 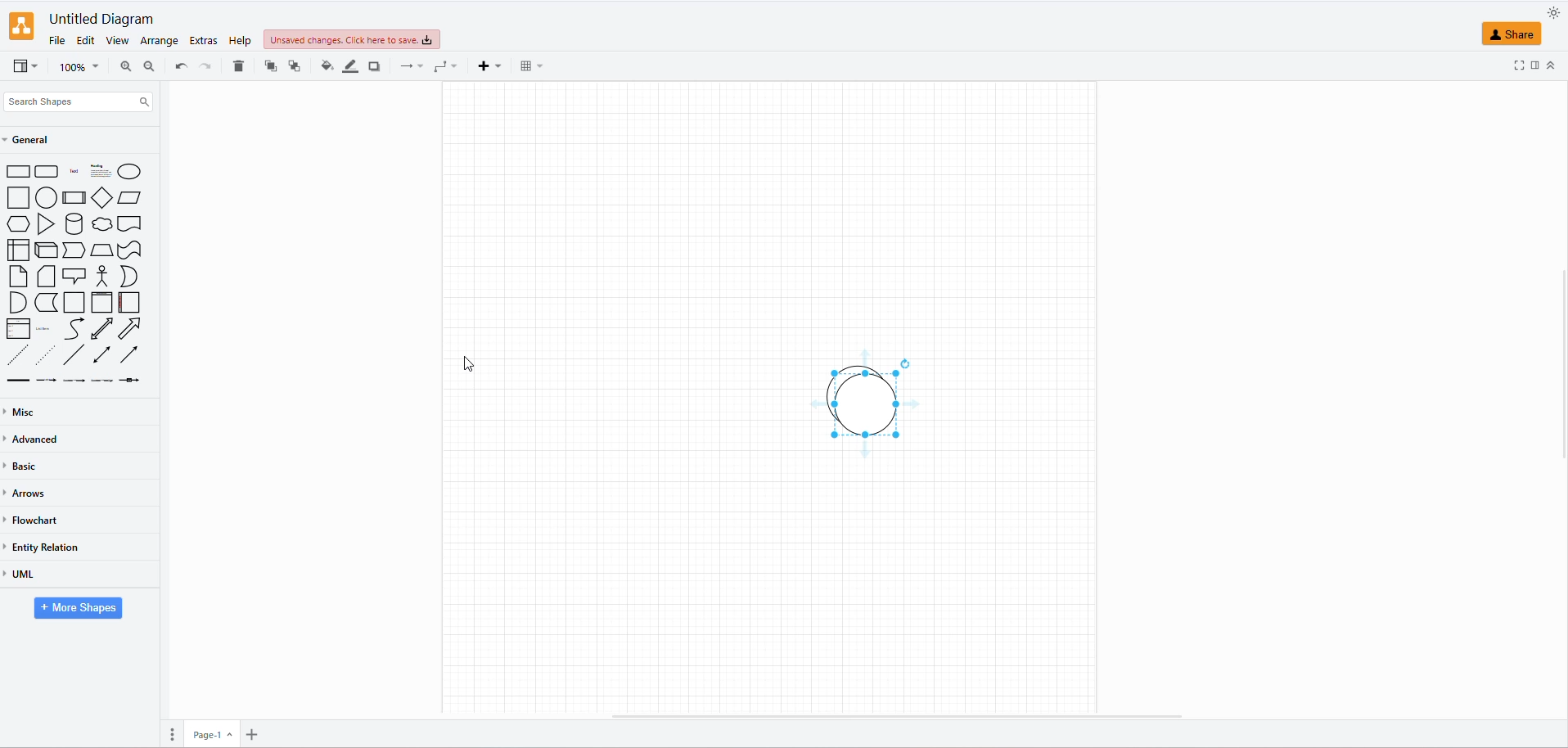 I want to click on ZOOM IN, so click(x=122, y=67).